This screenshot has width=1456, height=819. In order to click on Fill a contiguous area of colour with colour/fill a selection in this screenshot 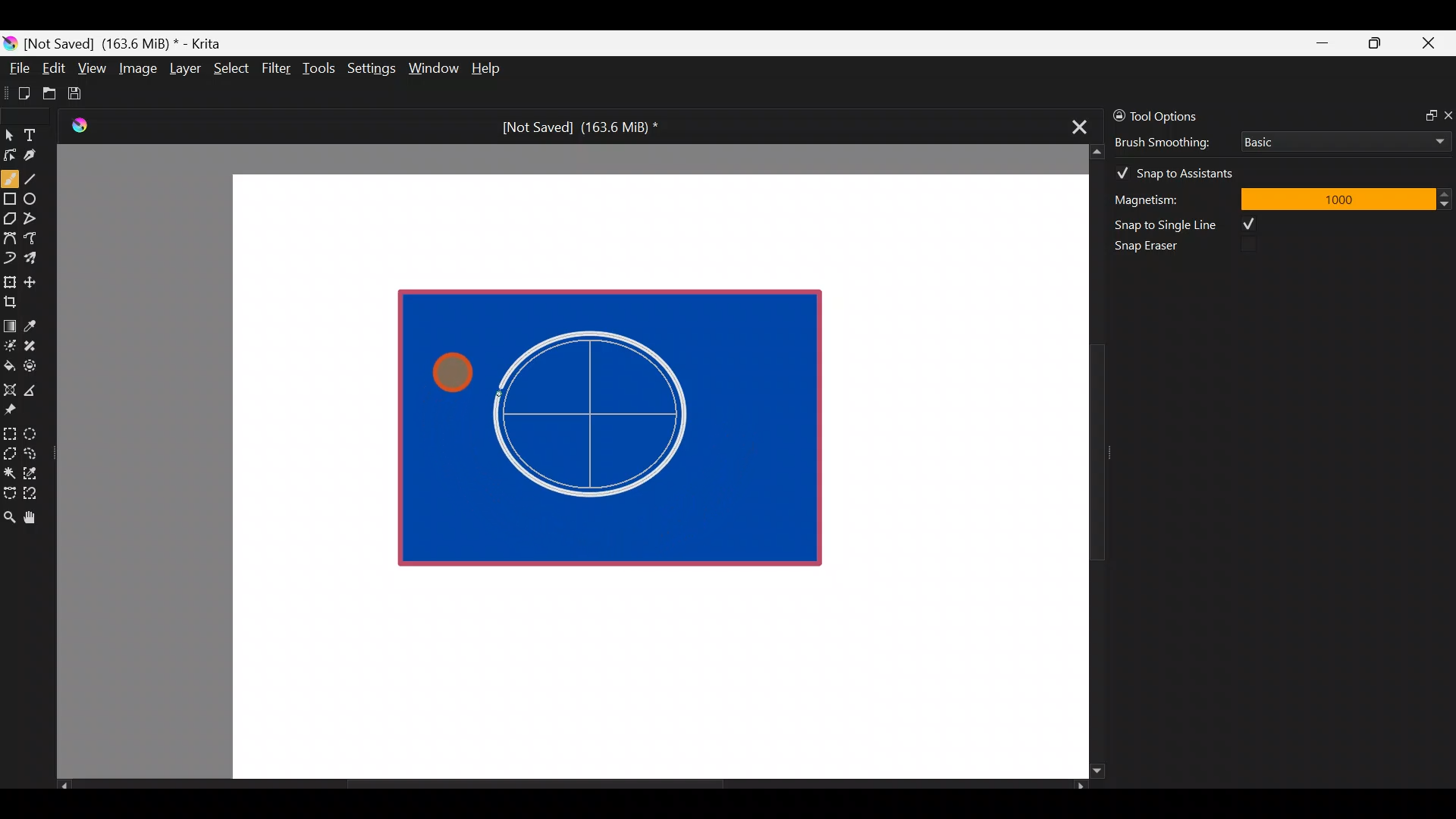, I will do `click(9, 362)`.